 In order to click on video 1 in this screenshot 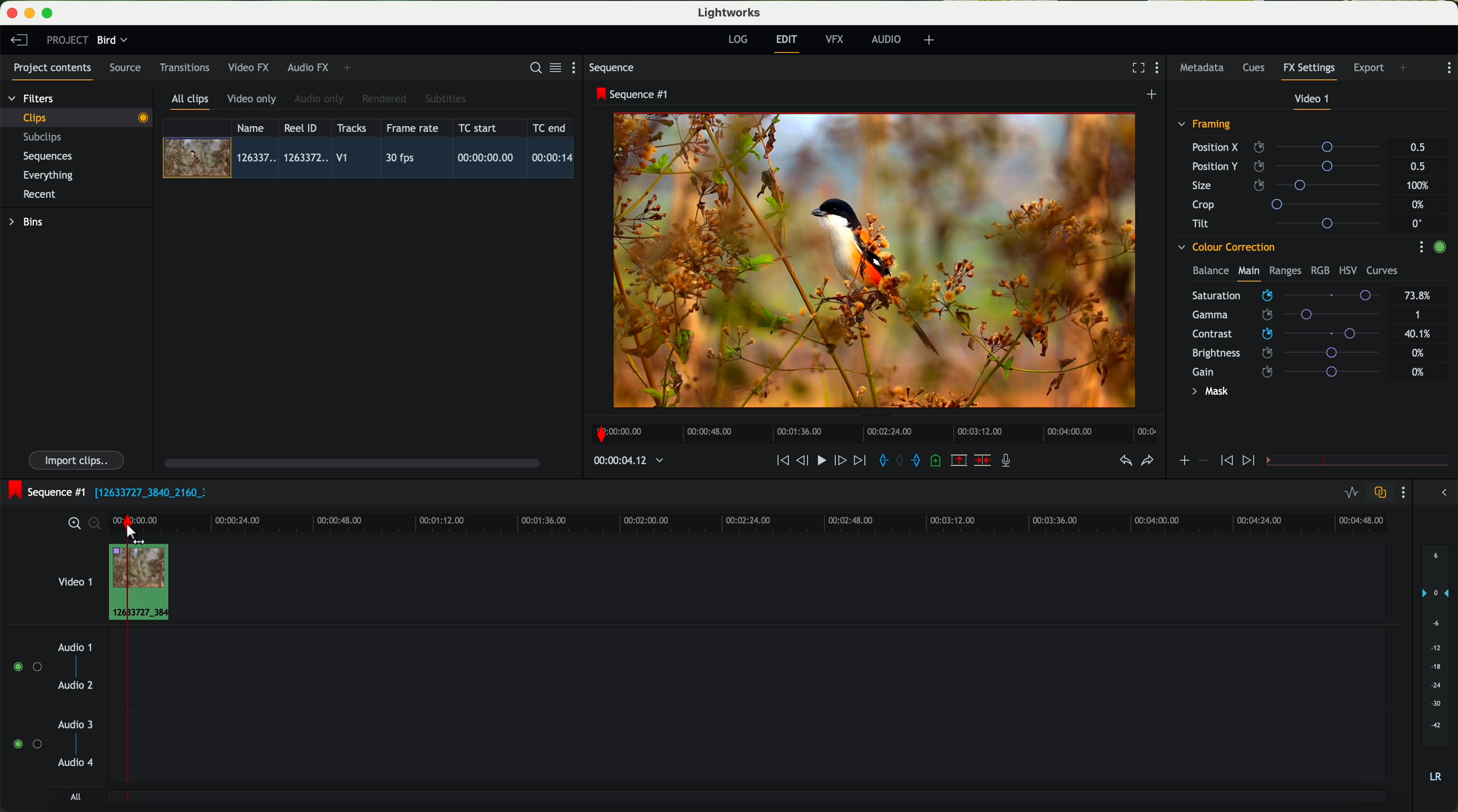, I will do `click(74, 579)`.